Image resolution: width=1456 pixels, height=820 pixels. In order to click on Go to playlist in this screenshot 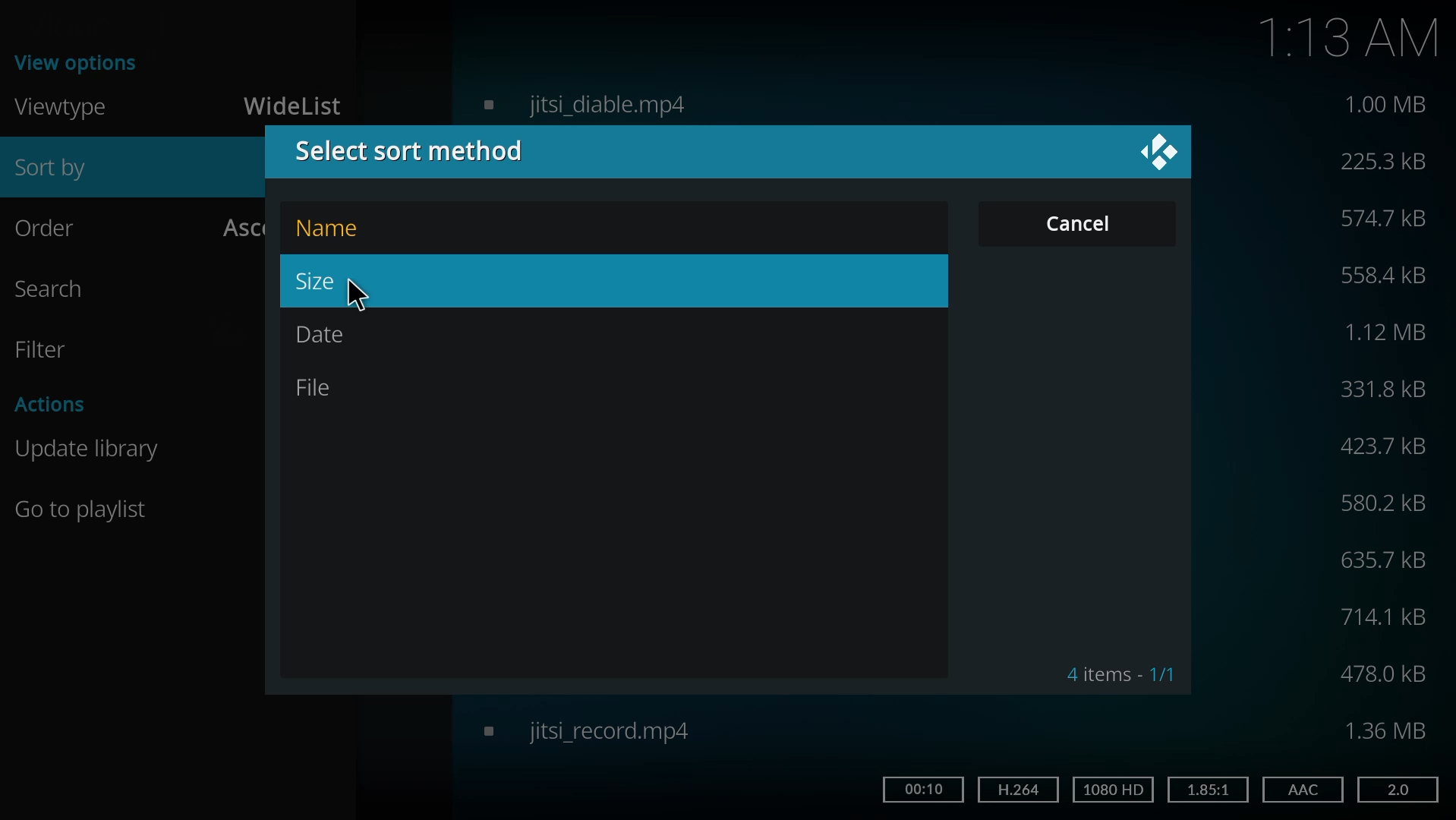, I will do `click(83, 513)`.